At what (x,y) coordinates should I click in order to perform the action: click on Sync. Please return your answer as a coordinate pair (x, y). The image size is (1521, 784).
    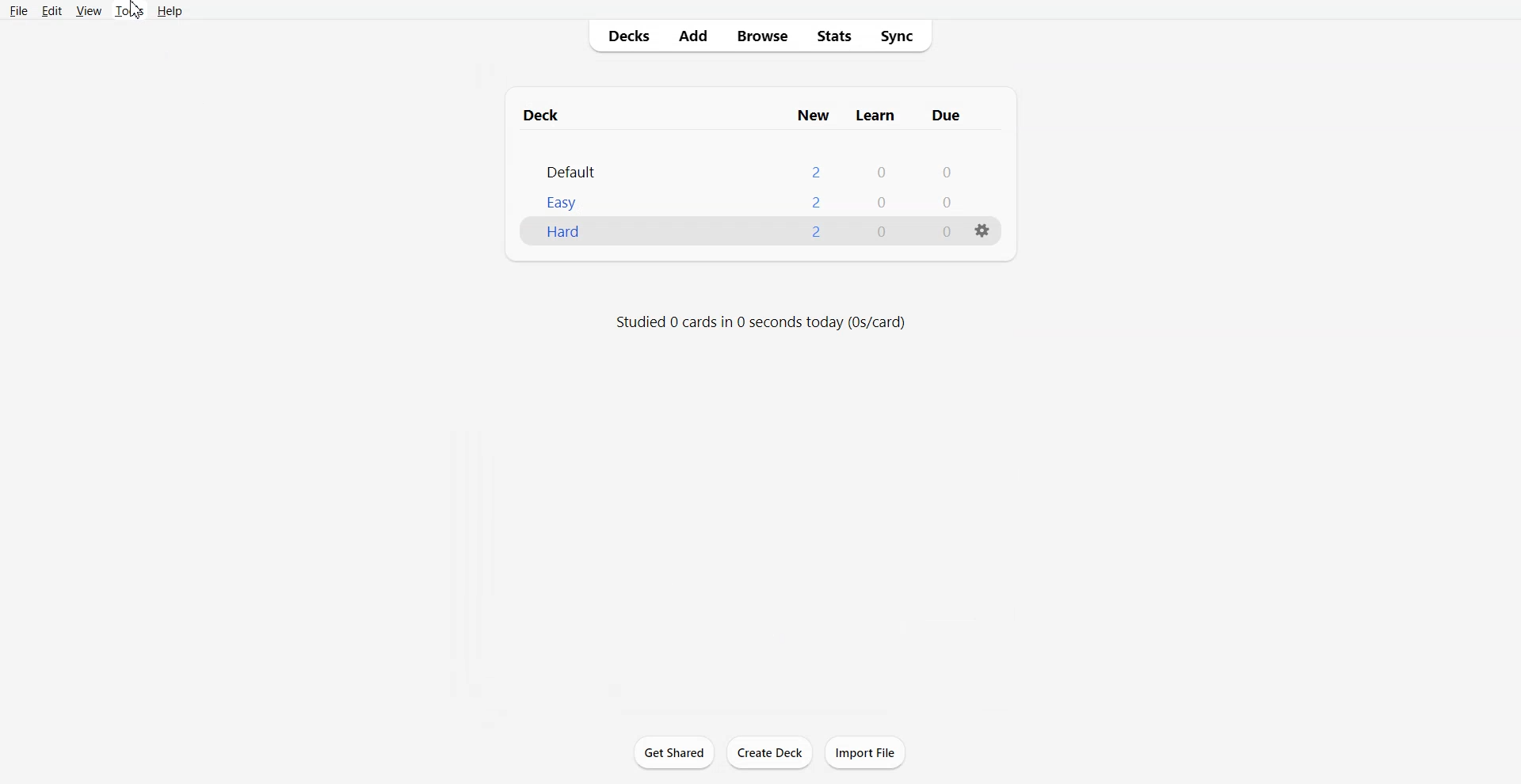
    Looking at the image, I should click on (902, 36).